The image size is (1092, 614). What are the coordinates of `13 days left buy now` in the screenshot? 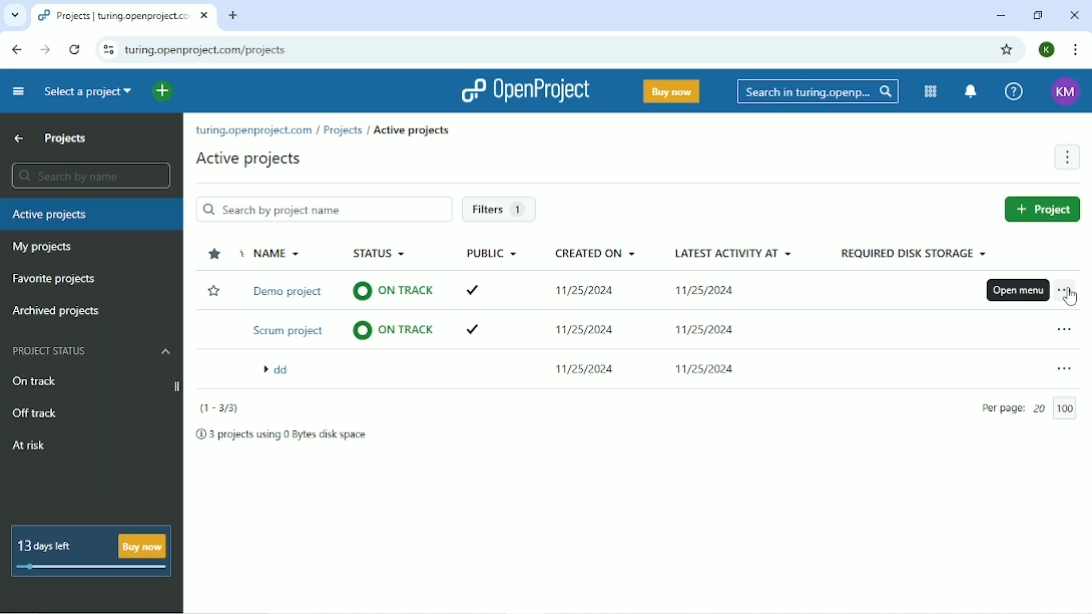 It's located at (92, 551).